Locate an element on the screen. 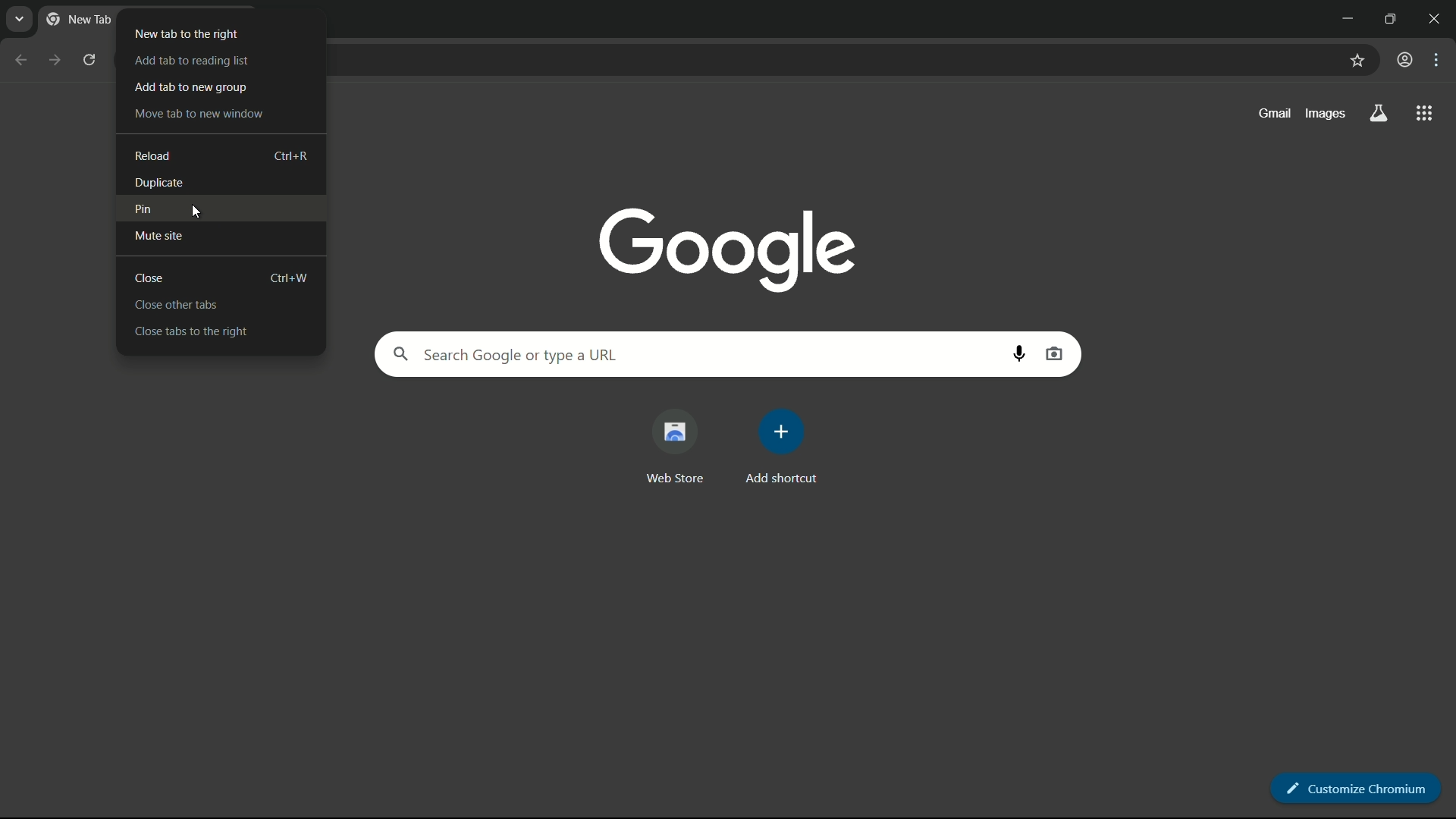  go back is located at coordinates (20, 59).